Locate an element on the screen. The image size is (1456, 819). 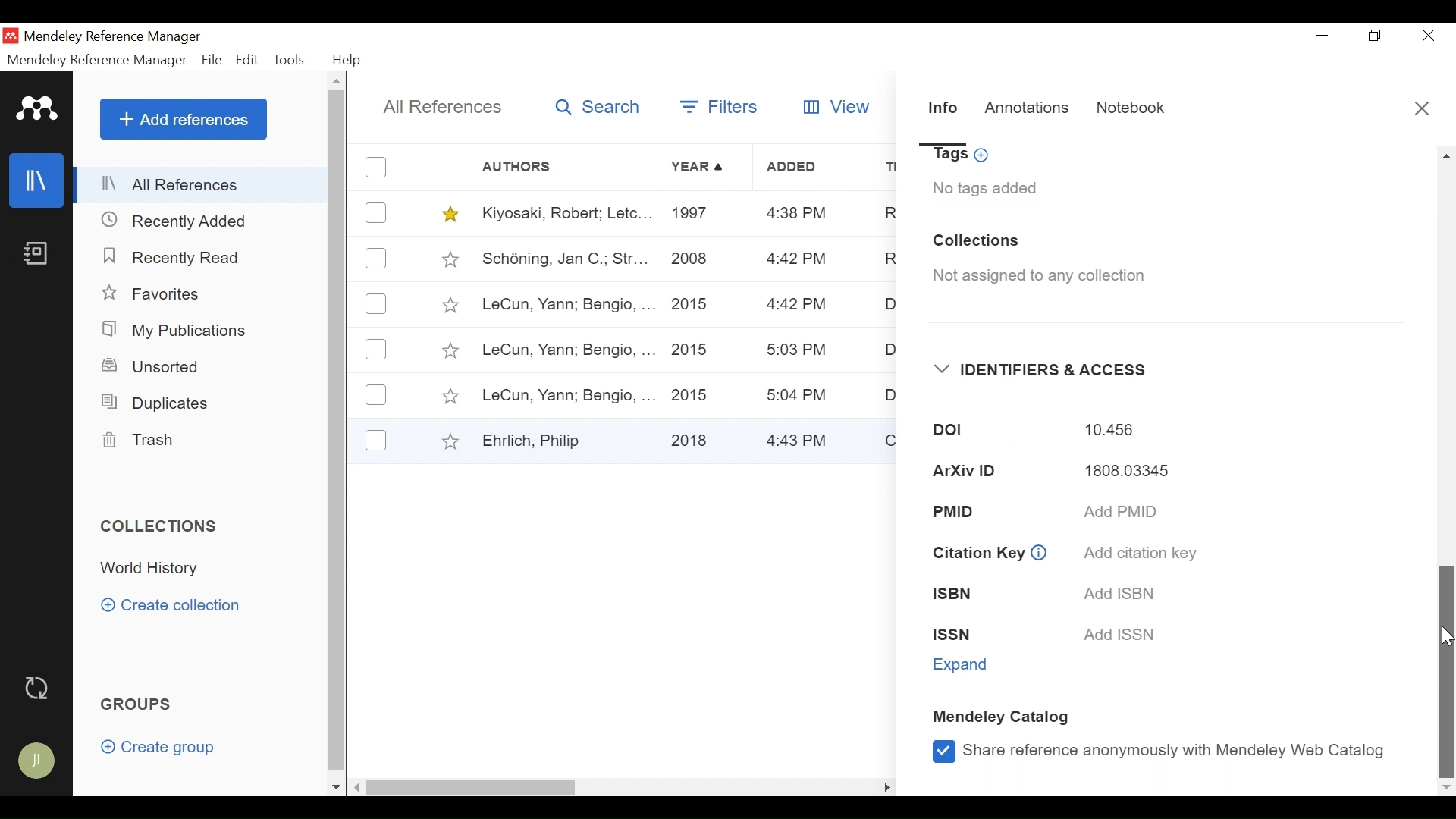
Added is located at coordinates (812, 168).